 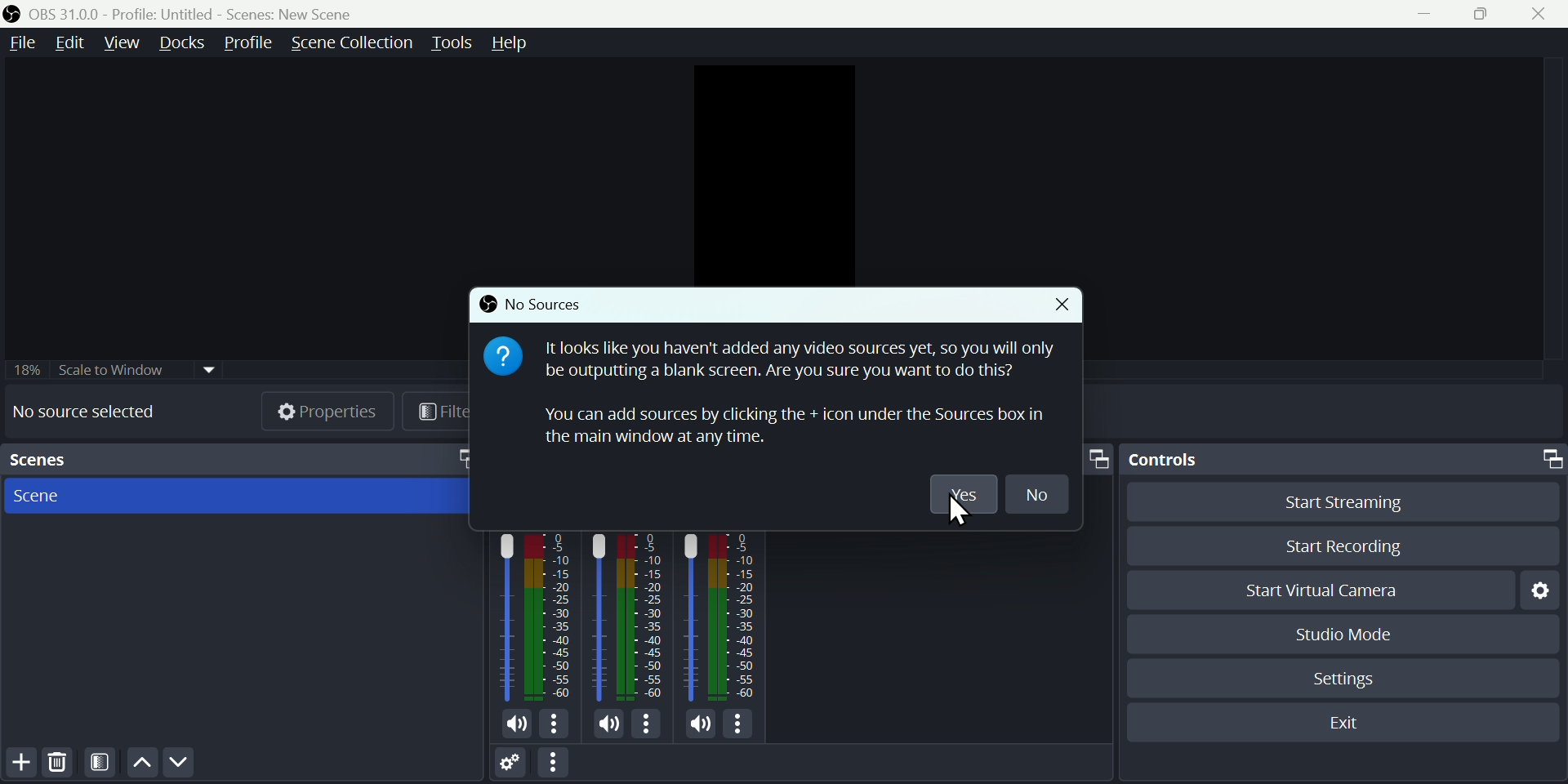 I want to click on Docks, so click(x=184, y=42).